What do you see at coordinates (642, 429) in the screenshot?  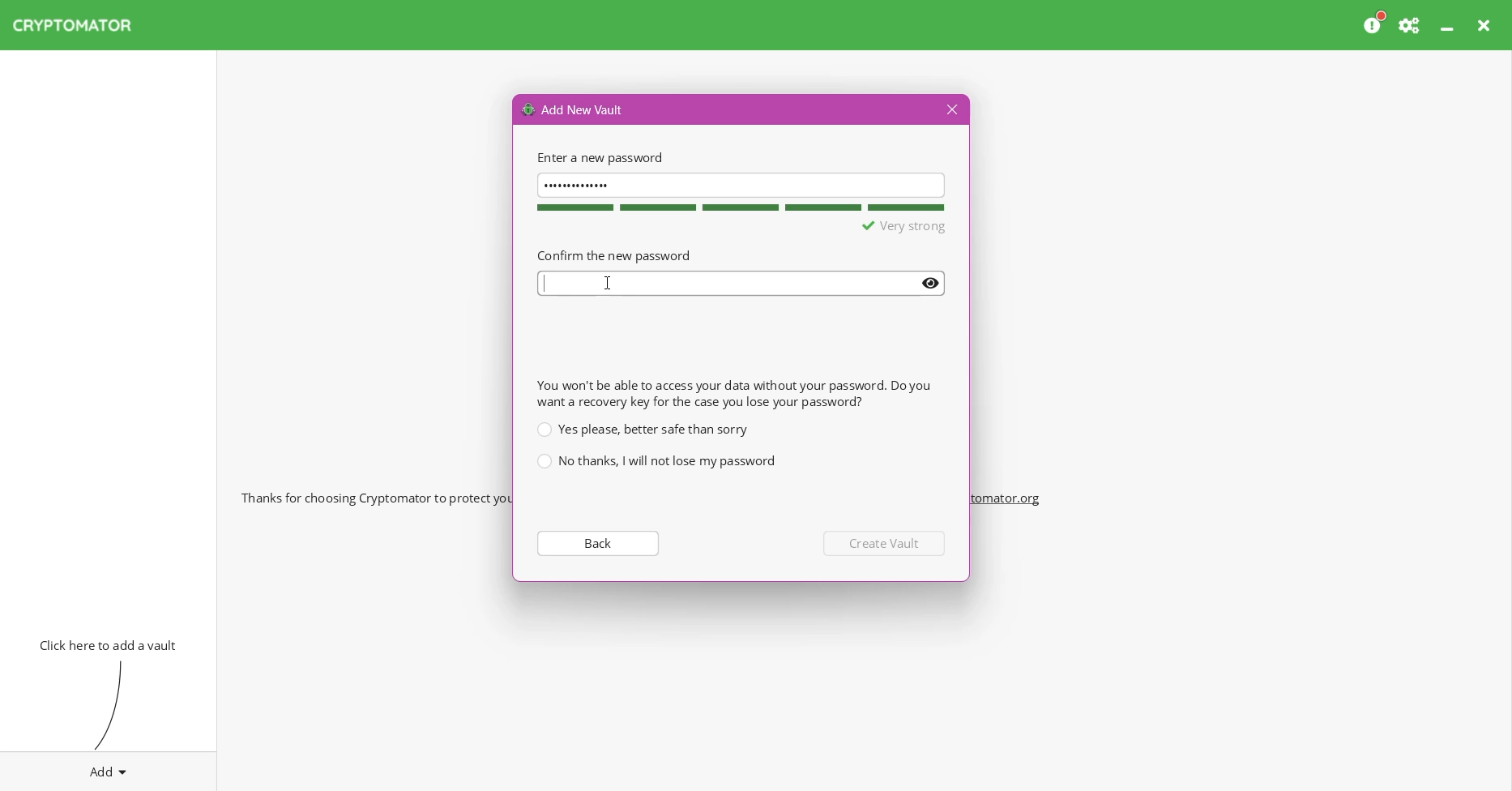 I see `Yes please, better safe than sorry` at bounding box center [642, 429].